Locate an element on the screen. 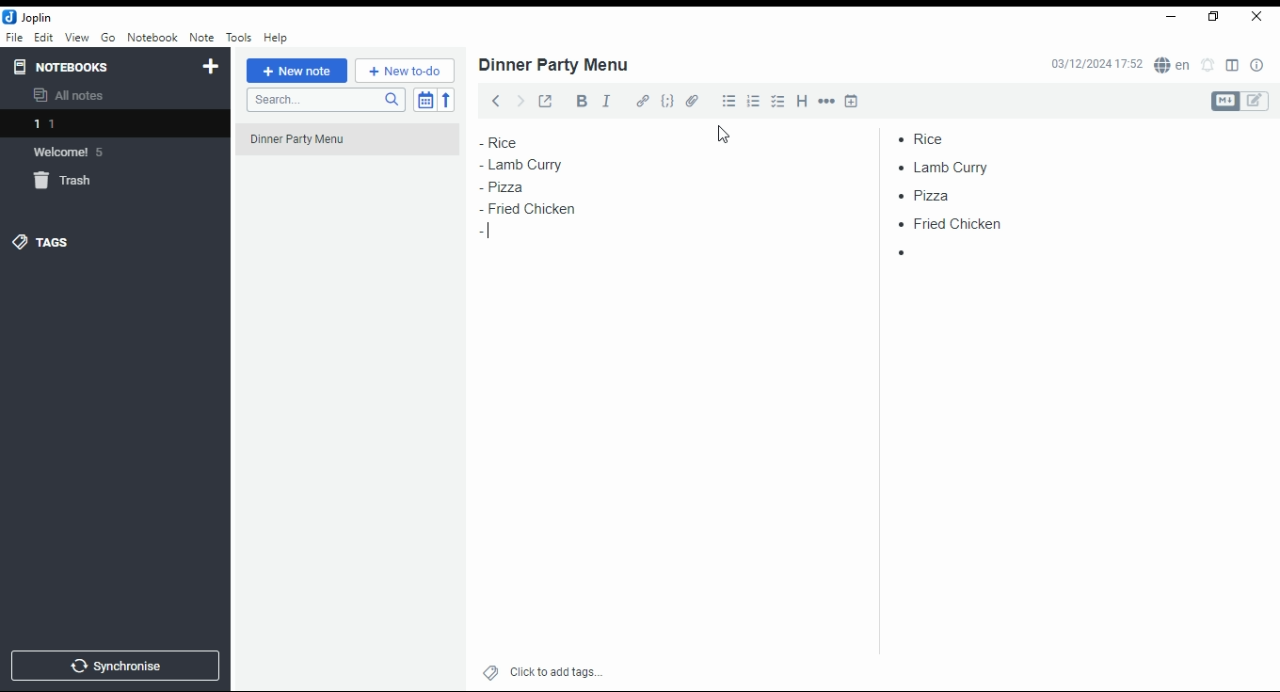  new to-do list is located at coordinates (405, 71).